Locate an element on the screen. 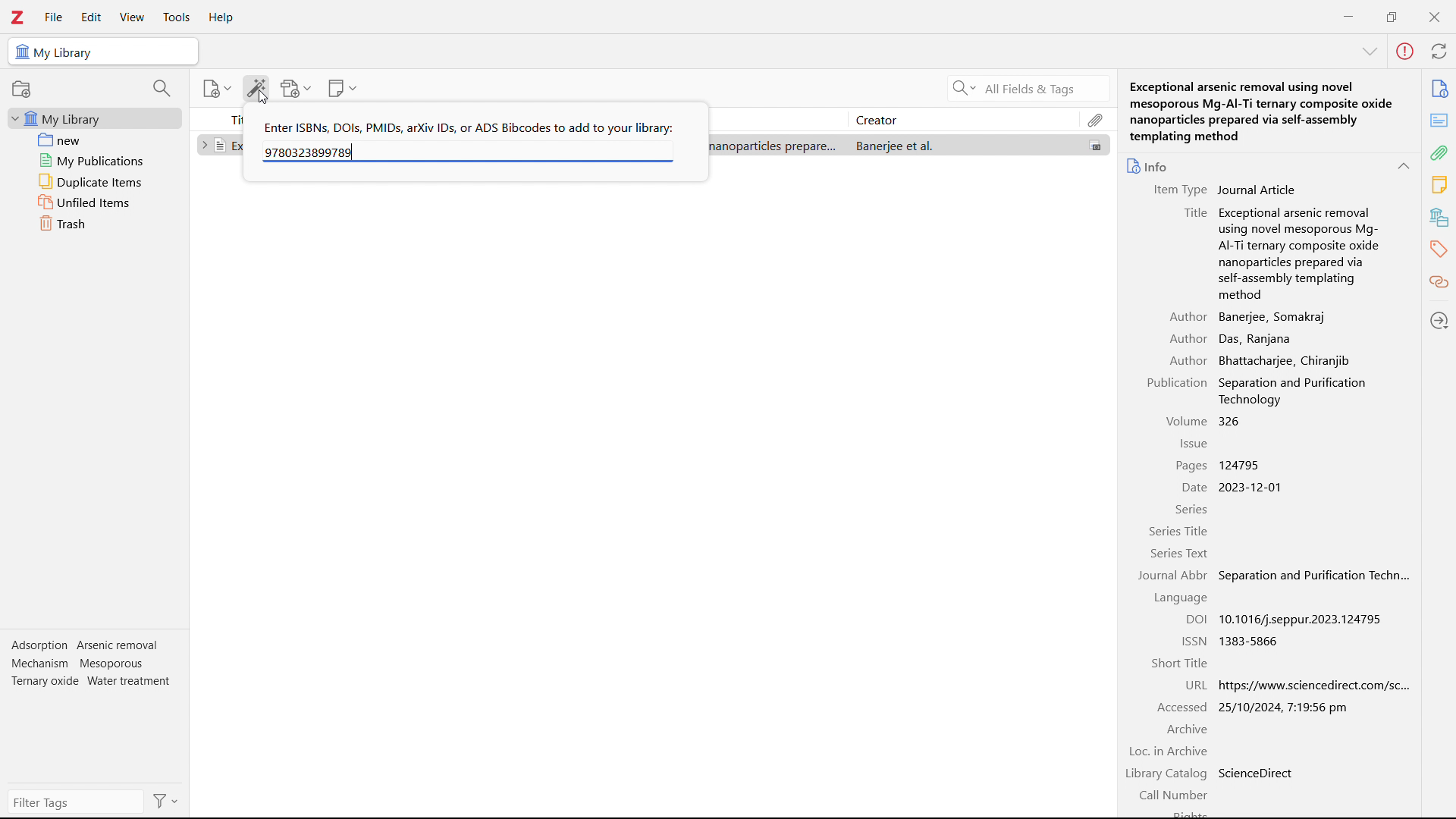 This screenshot has width=1456, height=819. More is located at coordinates (1370, 52).